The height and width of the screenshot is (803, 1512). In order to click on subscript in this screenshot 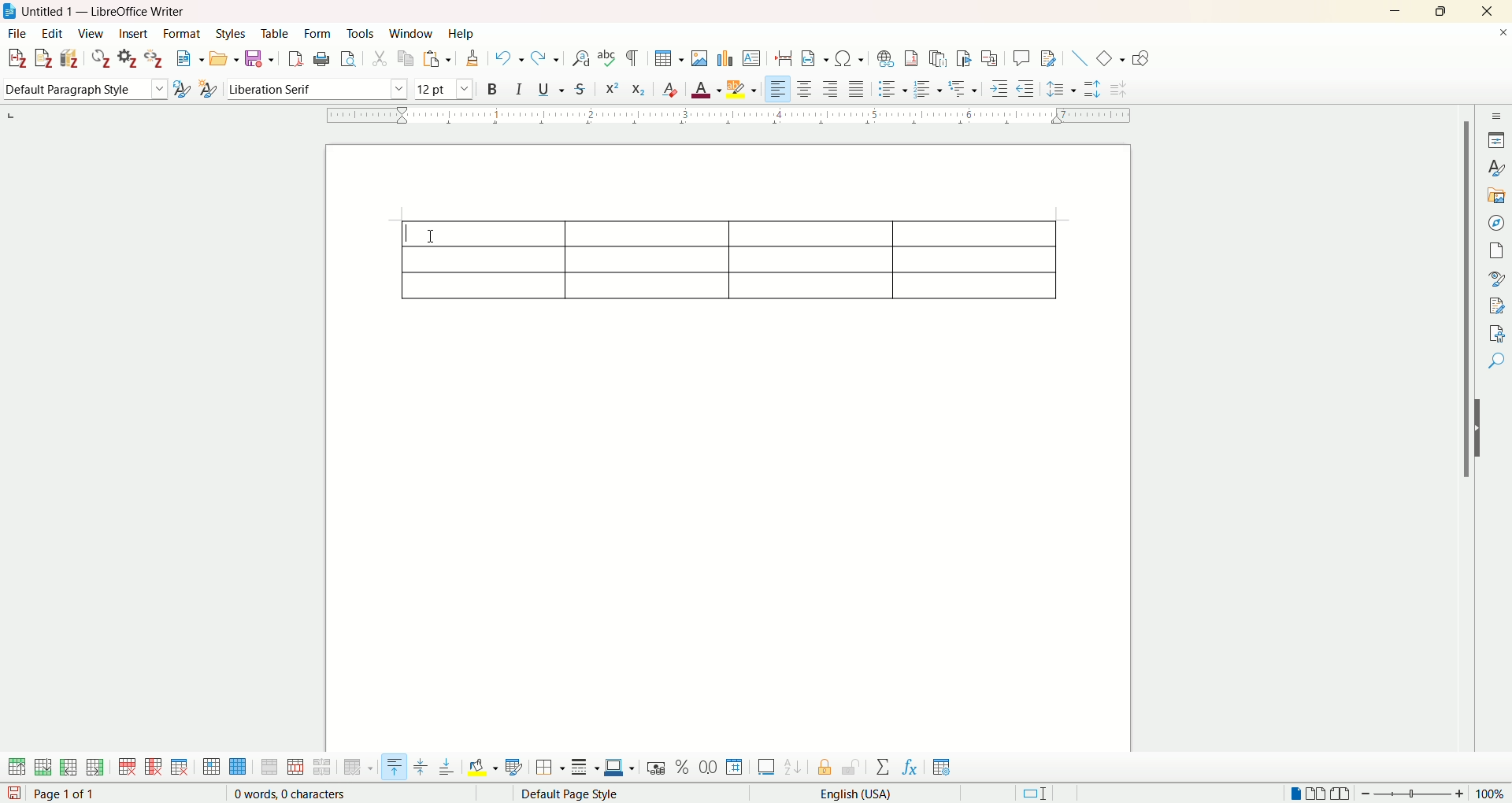, I will do `click(639, 89)`.